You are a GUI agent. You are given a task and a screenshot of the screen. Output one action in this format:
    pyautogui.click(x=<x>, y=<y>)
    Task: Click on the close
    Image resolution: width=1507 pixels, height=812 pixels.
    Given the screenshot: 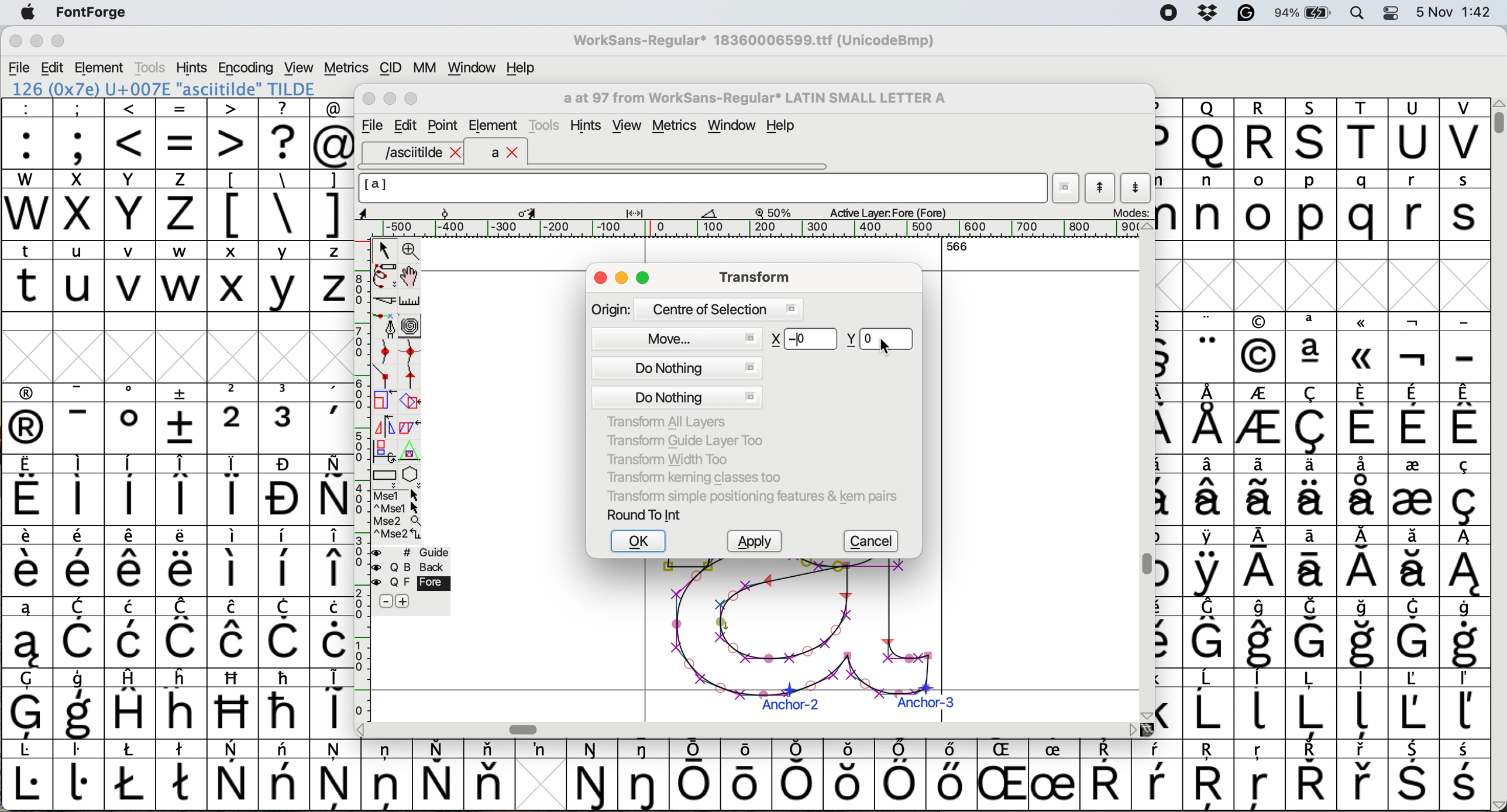 What is the action you would take?
    pyautogui.click(x=600, y=279)
    